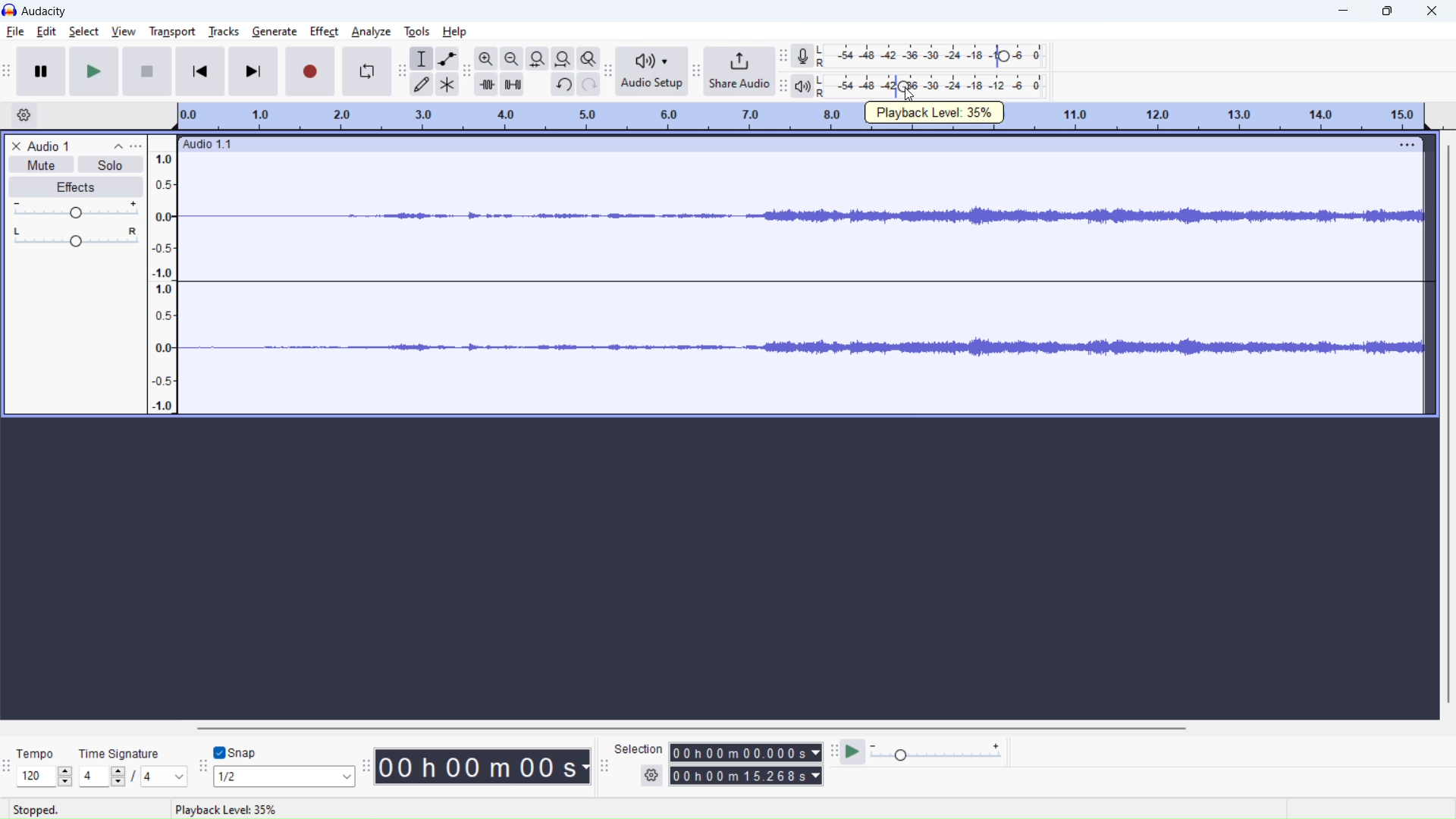 The width and height of the screenshot is (1456, 819). I want to click on tools, so click(417, 31).